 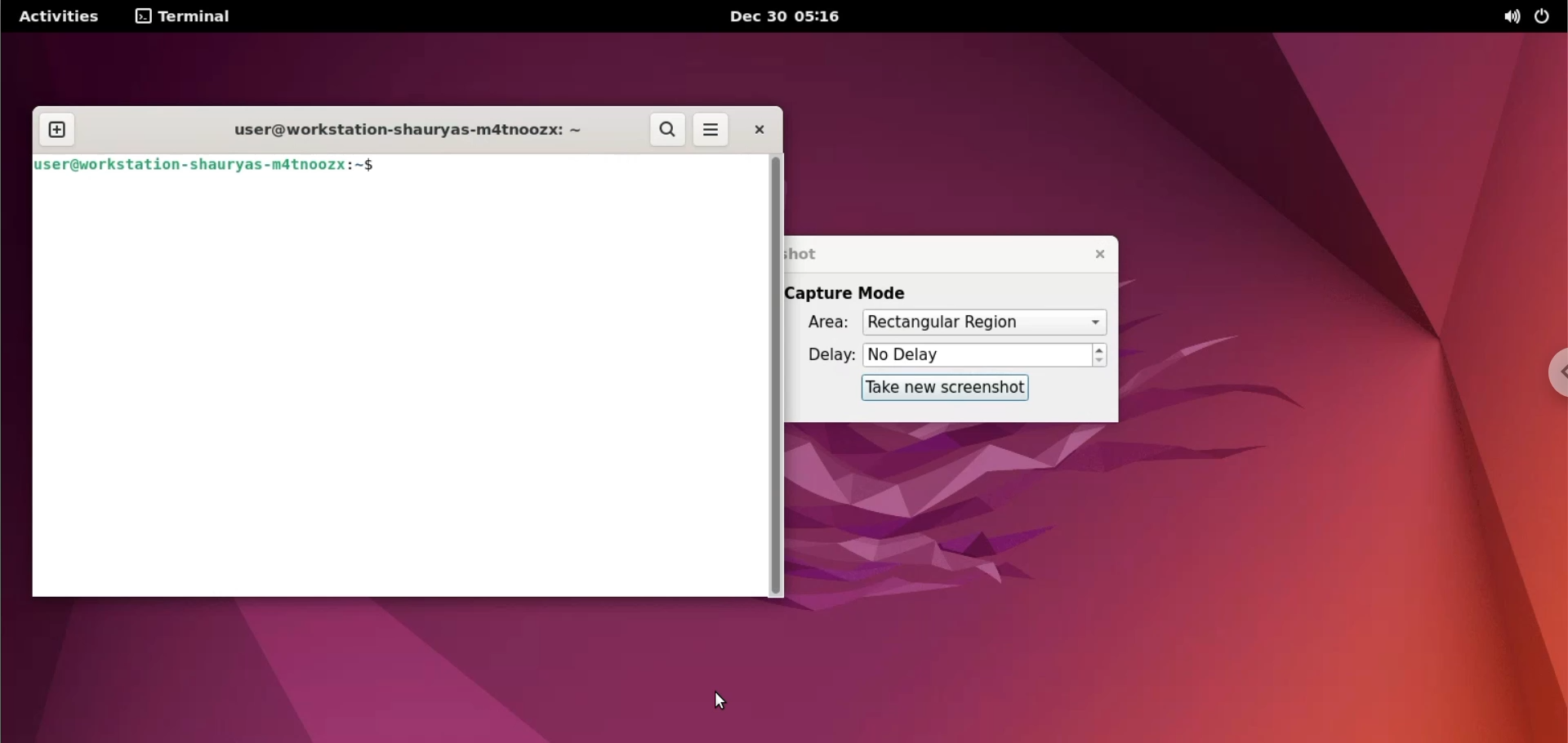 What do you see at coordinates (825, 358) in the screenshot?
I see `delay:` at bounding box center [825, 358].